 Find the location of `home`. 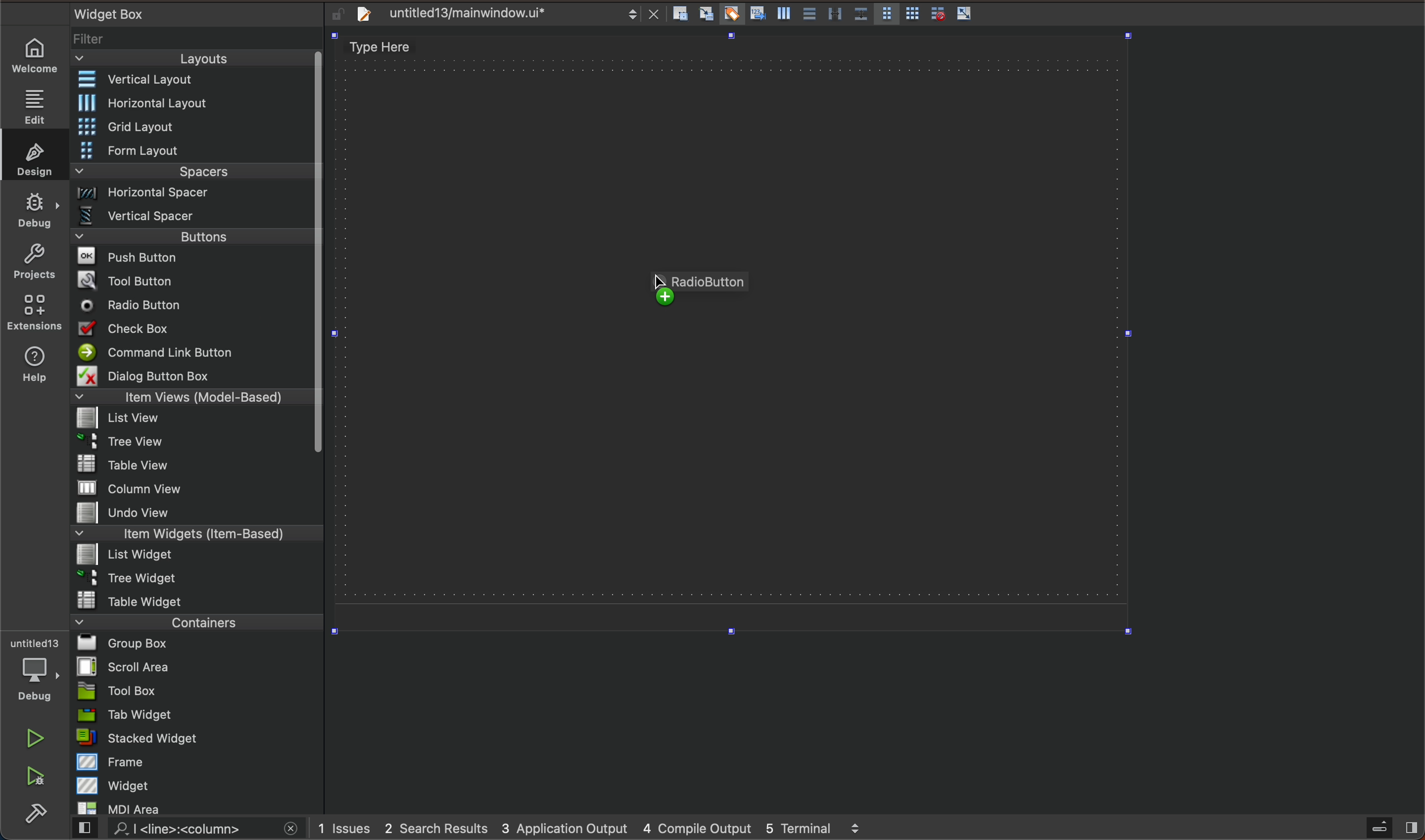

home is located at coordinates (40, 55).